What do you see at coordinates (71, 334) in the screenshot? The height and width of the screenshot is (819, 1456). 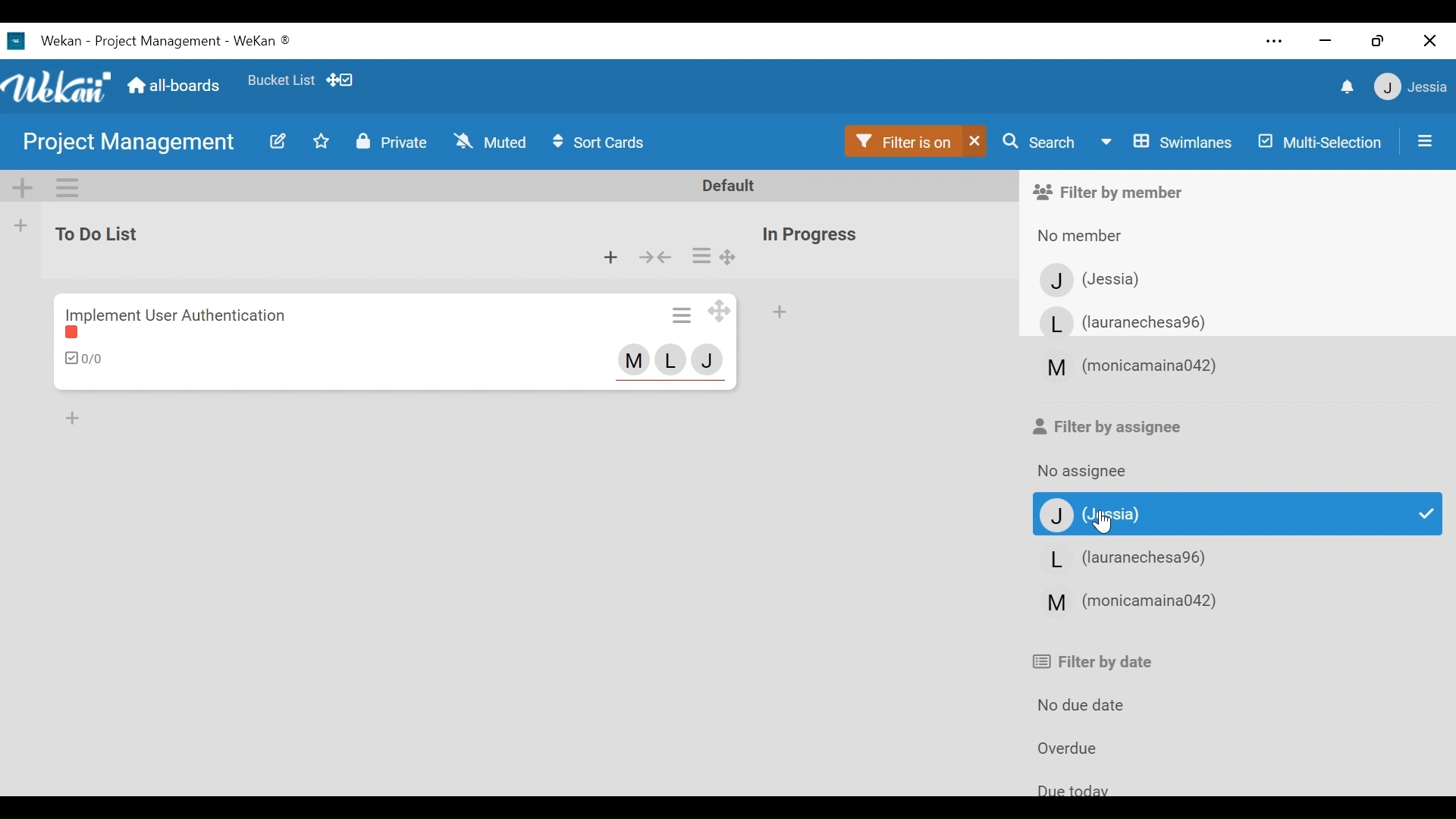 I see `label` at bounding box center [71, 334].